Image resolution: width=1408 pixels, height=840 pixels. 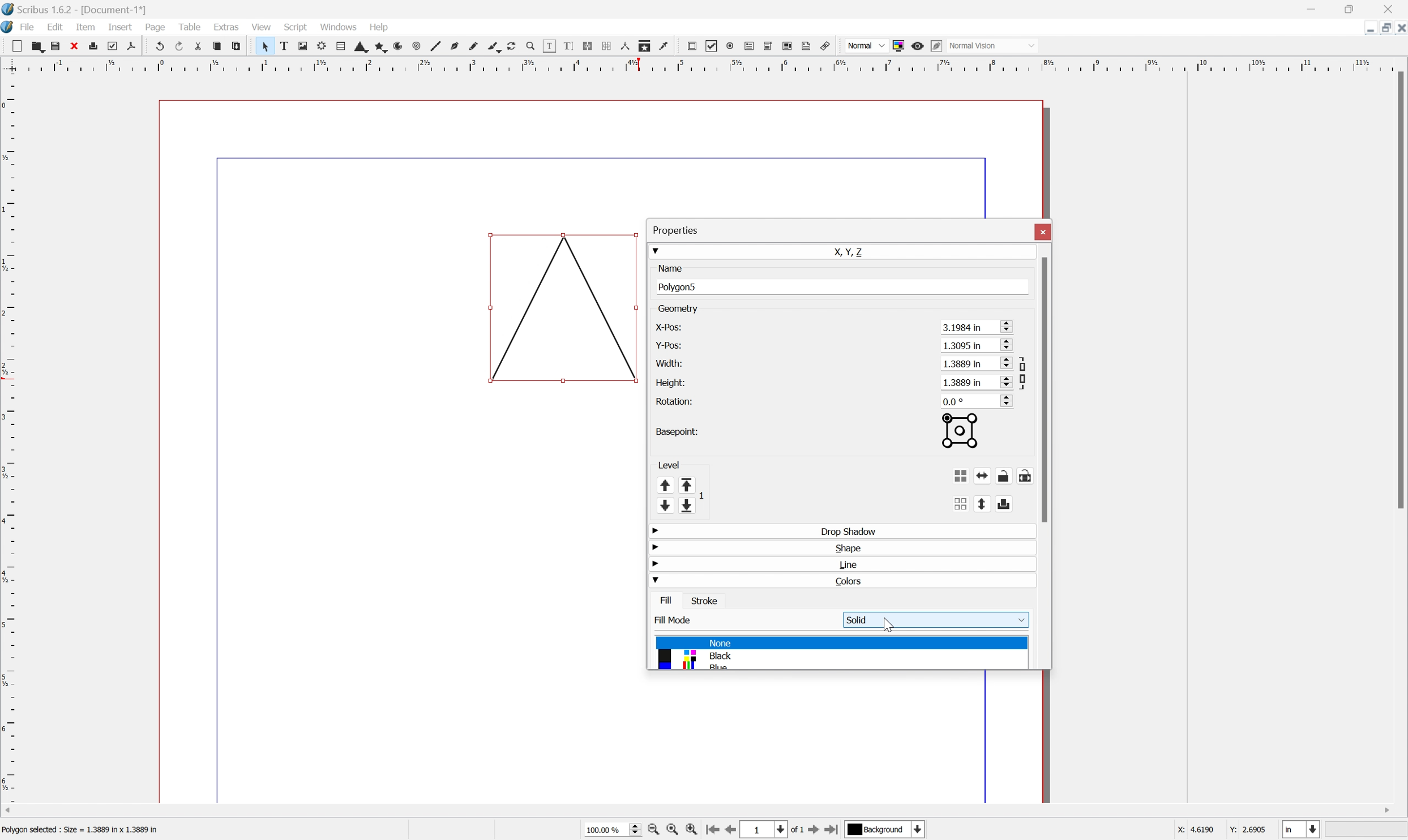 I want to click on Bezier curve, so click(x=453, y=45).